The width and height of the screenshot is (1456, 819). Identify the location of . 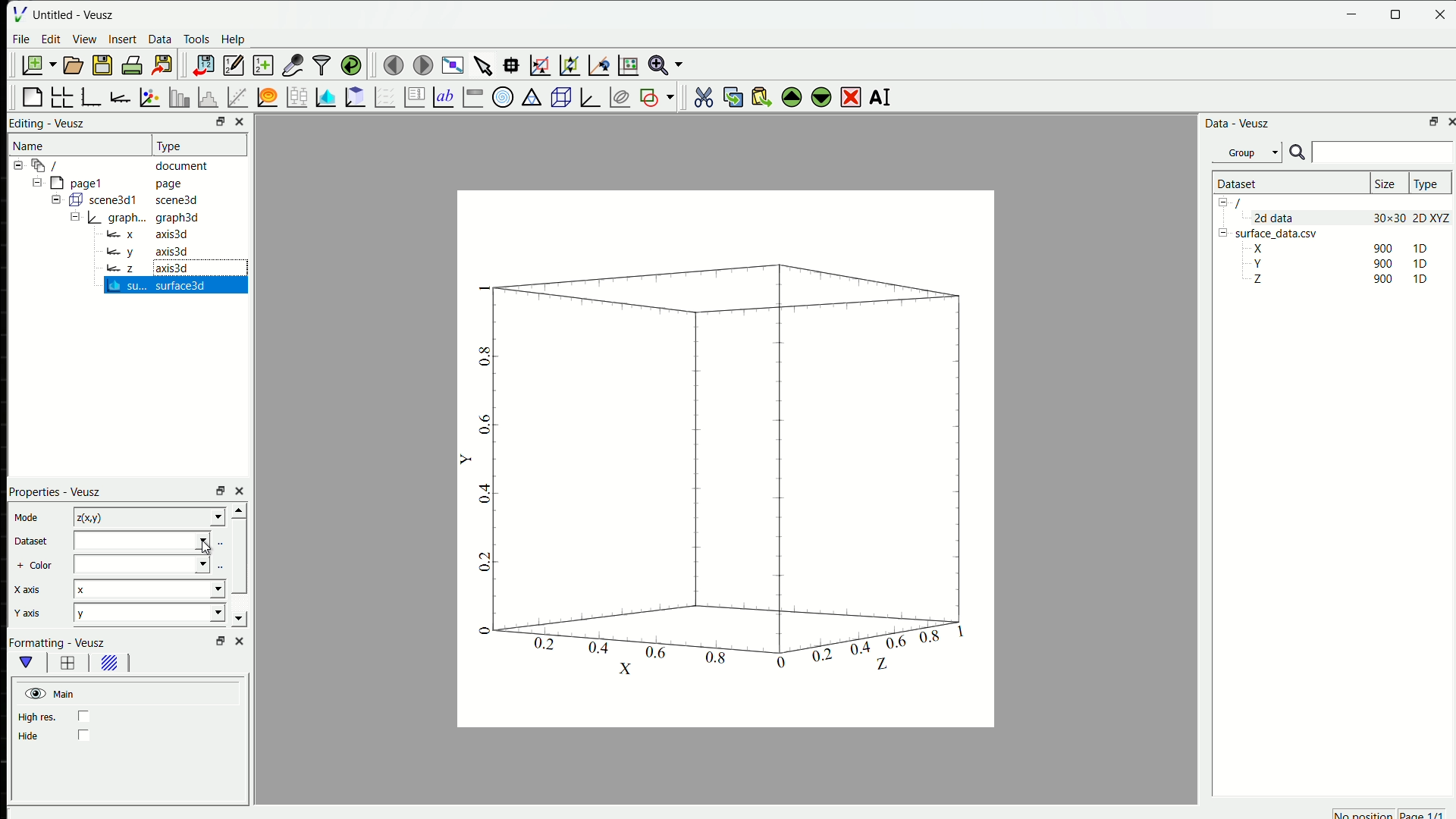
(107, 199).